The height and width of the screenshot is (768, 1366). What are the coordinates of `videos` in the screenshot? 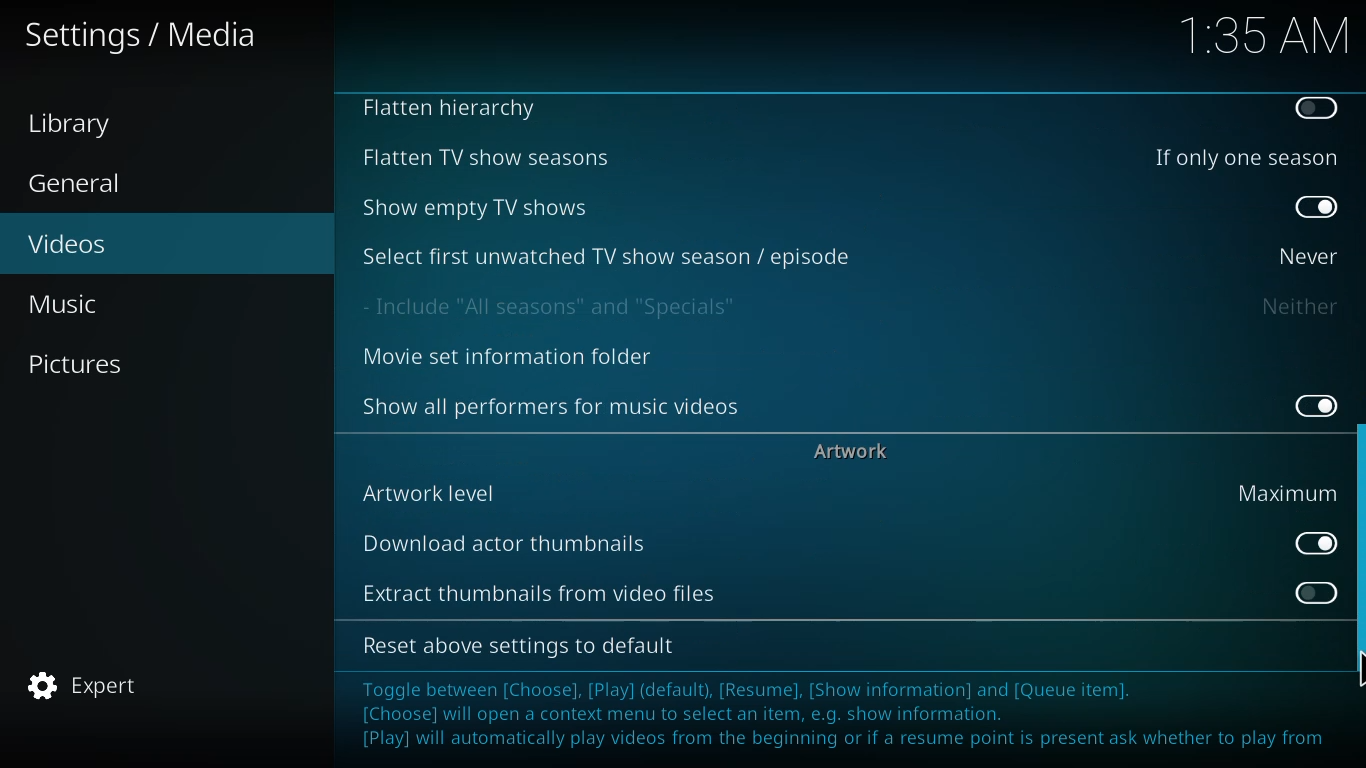 It's located at (69, 242).